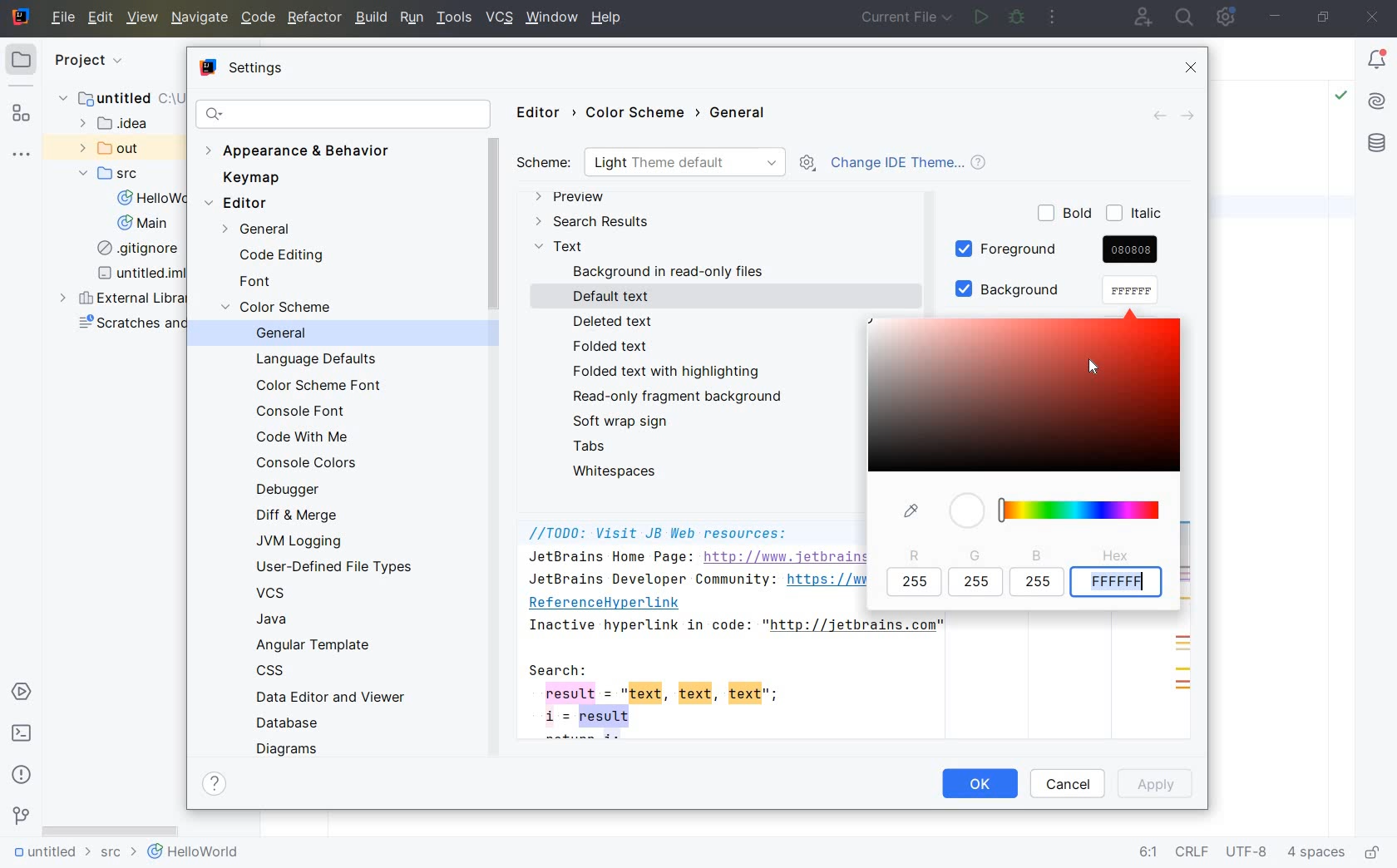 This screenshot has height=868, width=1397. I want to click on JAVA, so click(289, 619).